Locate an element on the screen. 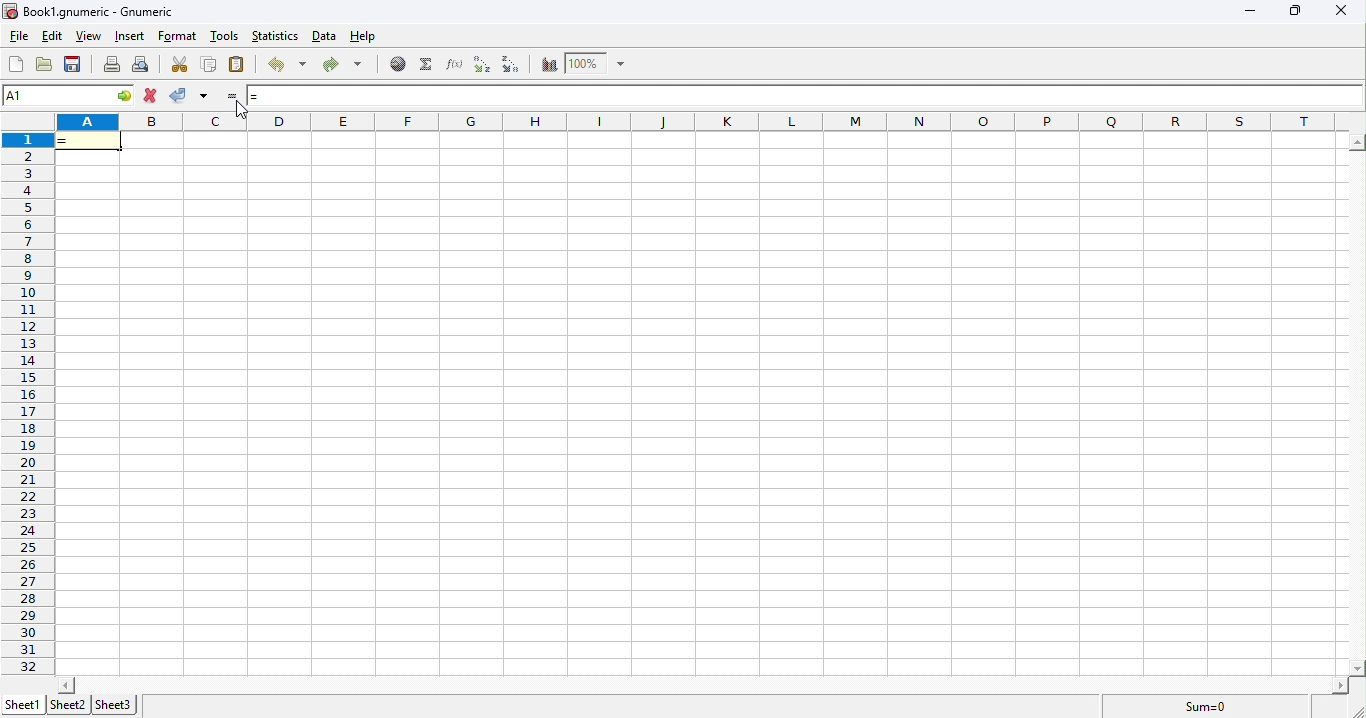 This screenshot has width=1366, height=718. function wizard is located at coordinates (455, 64).